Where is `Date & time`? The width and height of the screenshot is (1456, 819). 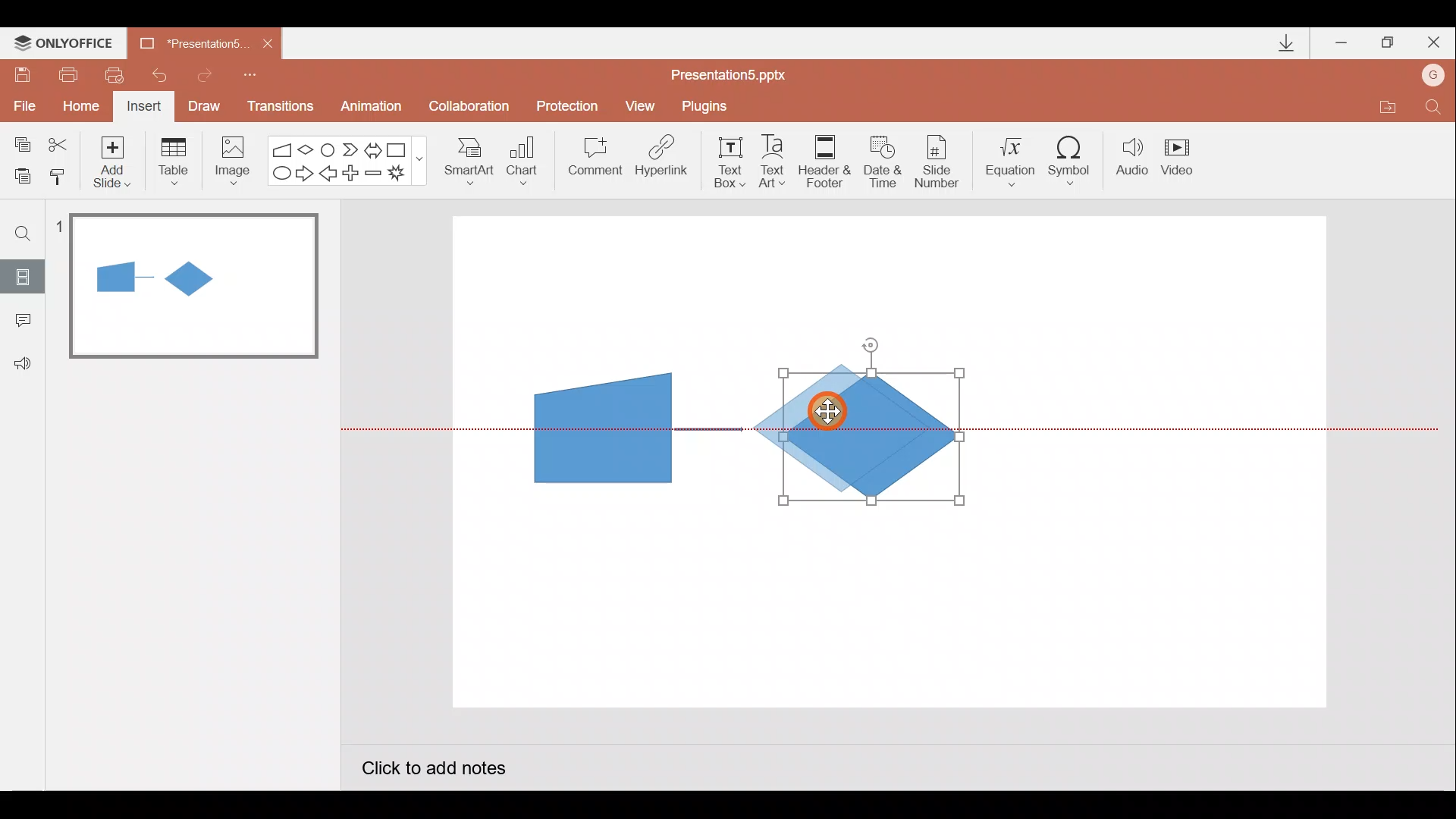 Date & time is located at coordinates (881, 158).